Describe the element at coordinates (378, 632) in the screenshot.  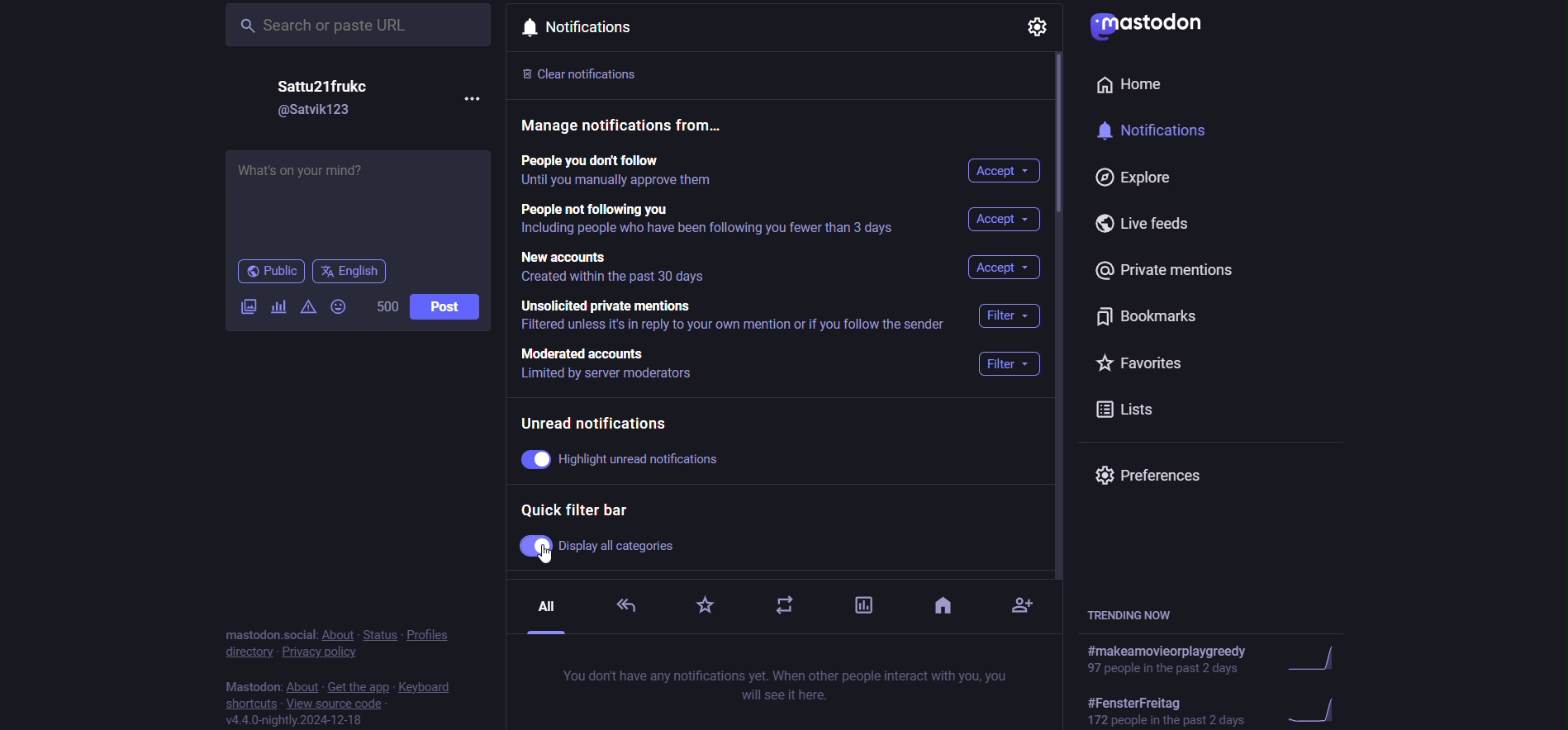
I see `status` at that location.